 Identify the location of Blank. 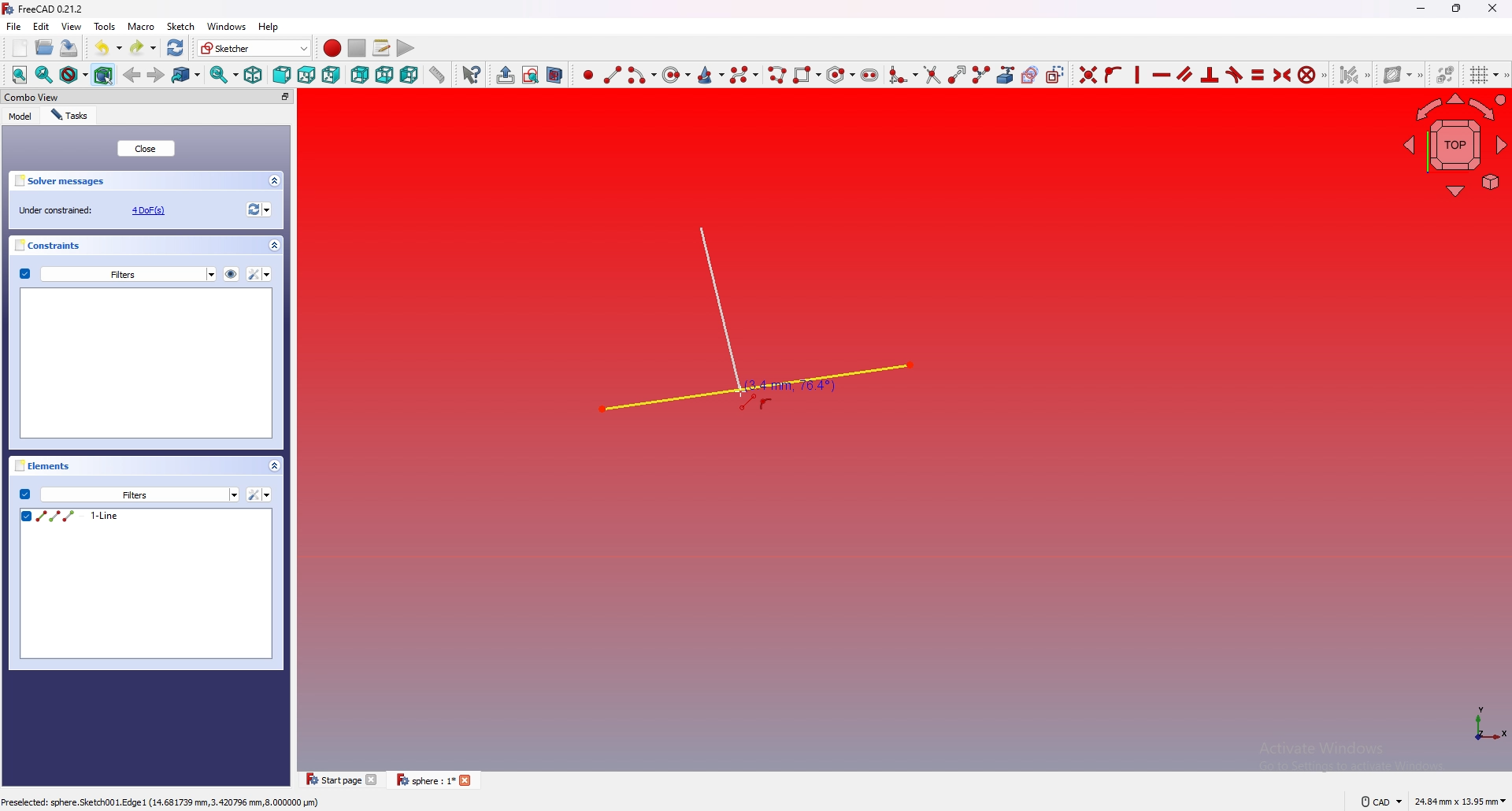
(148, 363).